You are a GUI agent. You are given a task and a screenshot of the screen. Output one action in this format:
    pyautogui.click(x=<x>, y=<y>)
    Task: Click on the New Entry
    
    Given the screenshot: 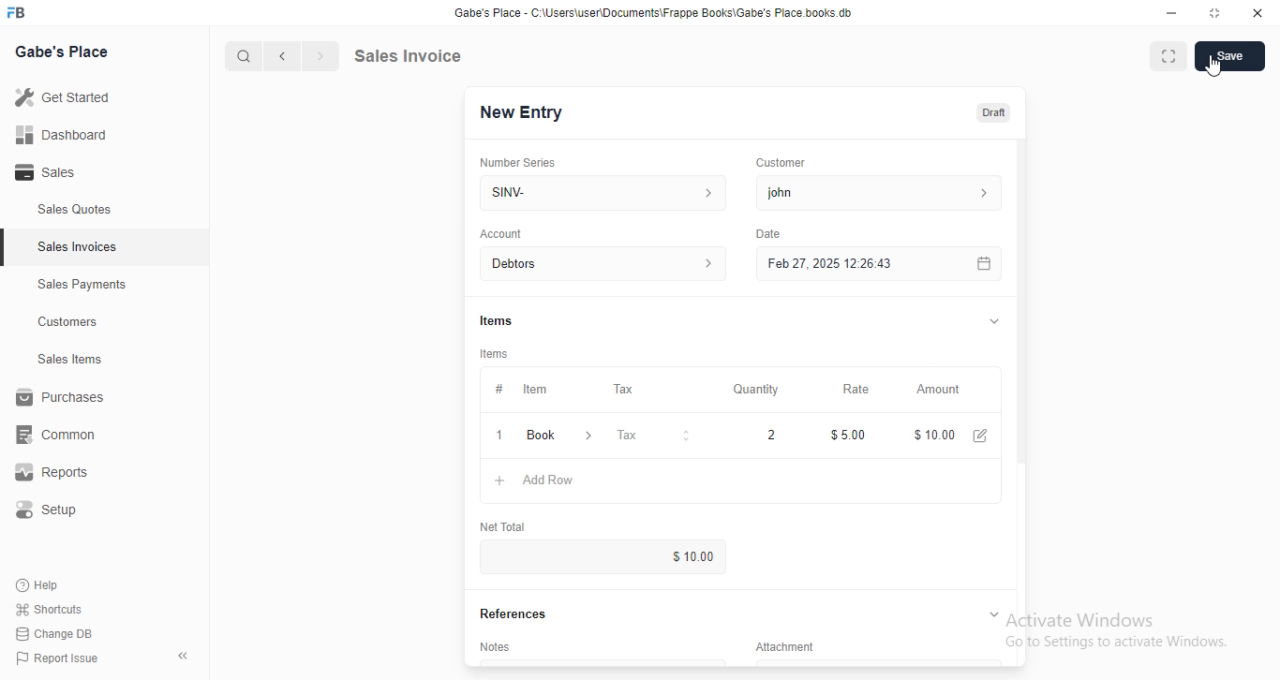 What is the action you would take?
    pyautogui.click(x=523, y=113)
    